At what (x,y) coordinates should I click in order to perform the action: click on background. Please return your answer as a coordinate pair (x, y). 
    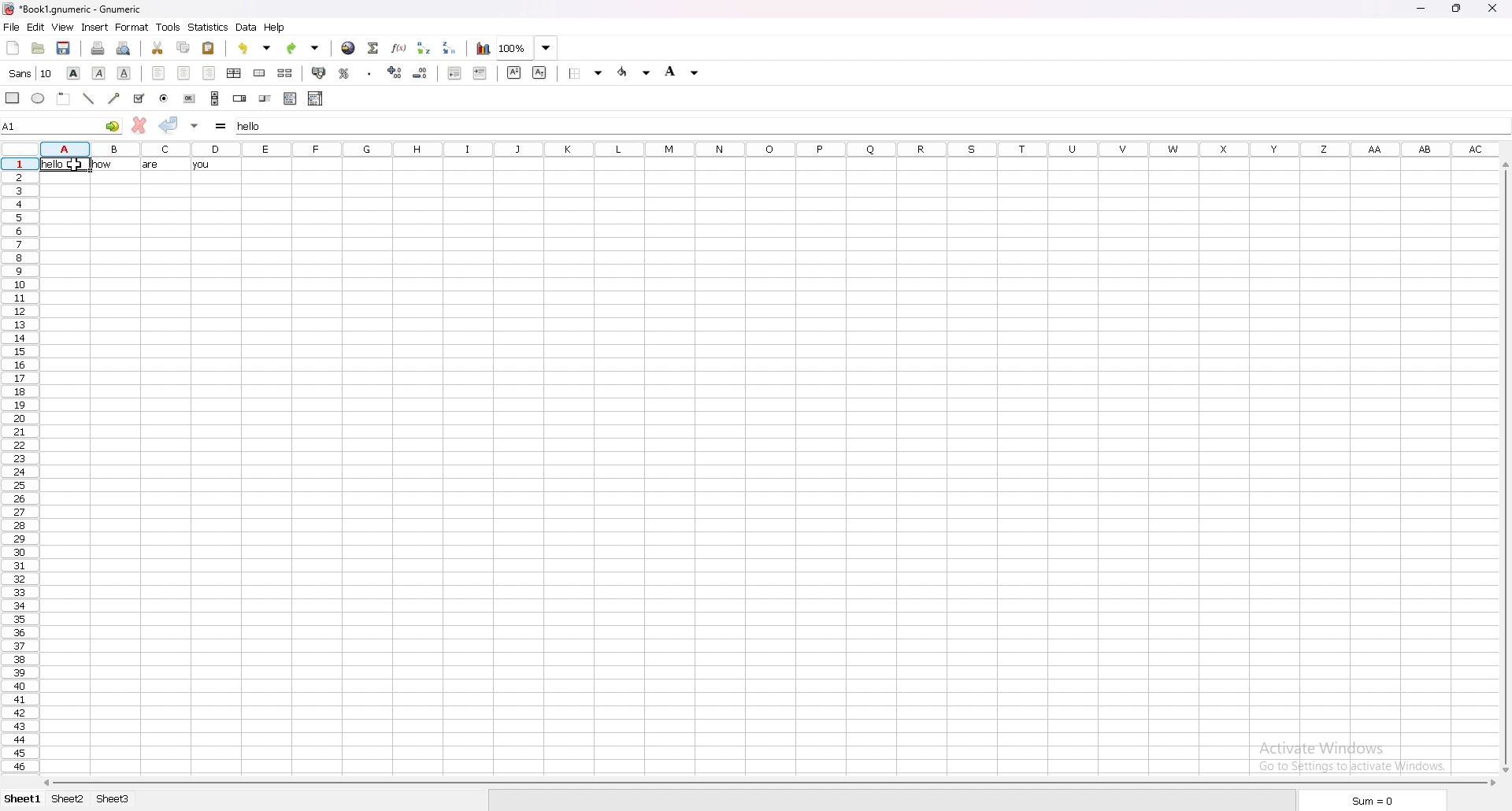
    Looking at the image, I should click on (684, 71).